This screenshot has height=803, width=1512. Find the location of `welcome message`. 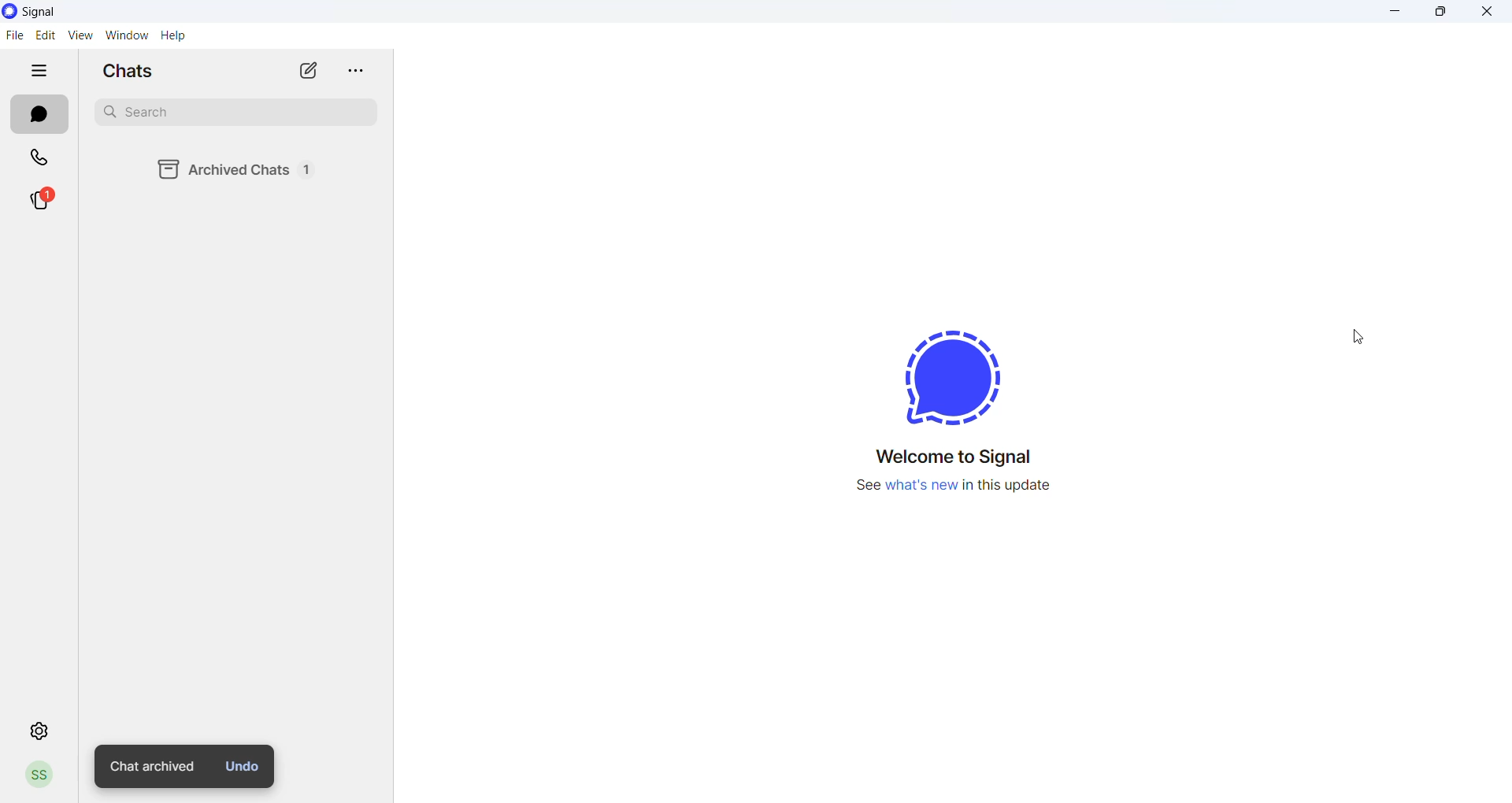

welcome message is located at coordinates (962, 457).